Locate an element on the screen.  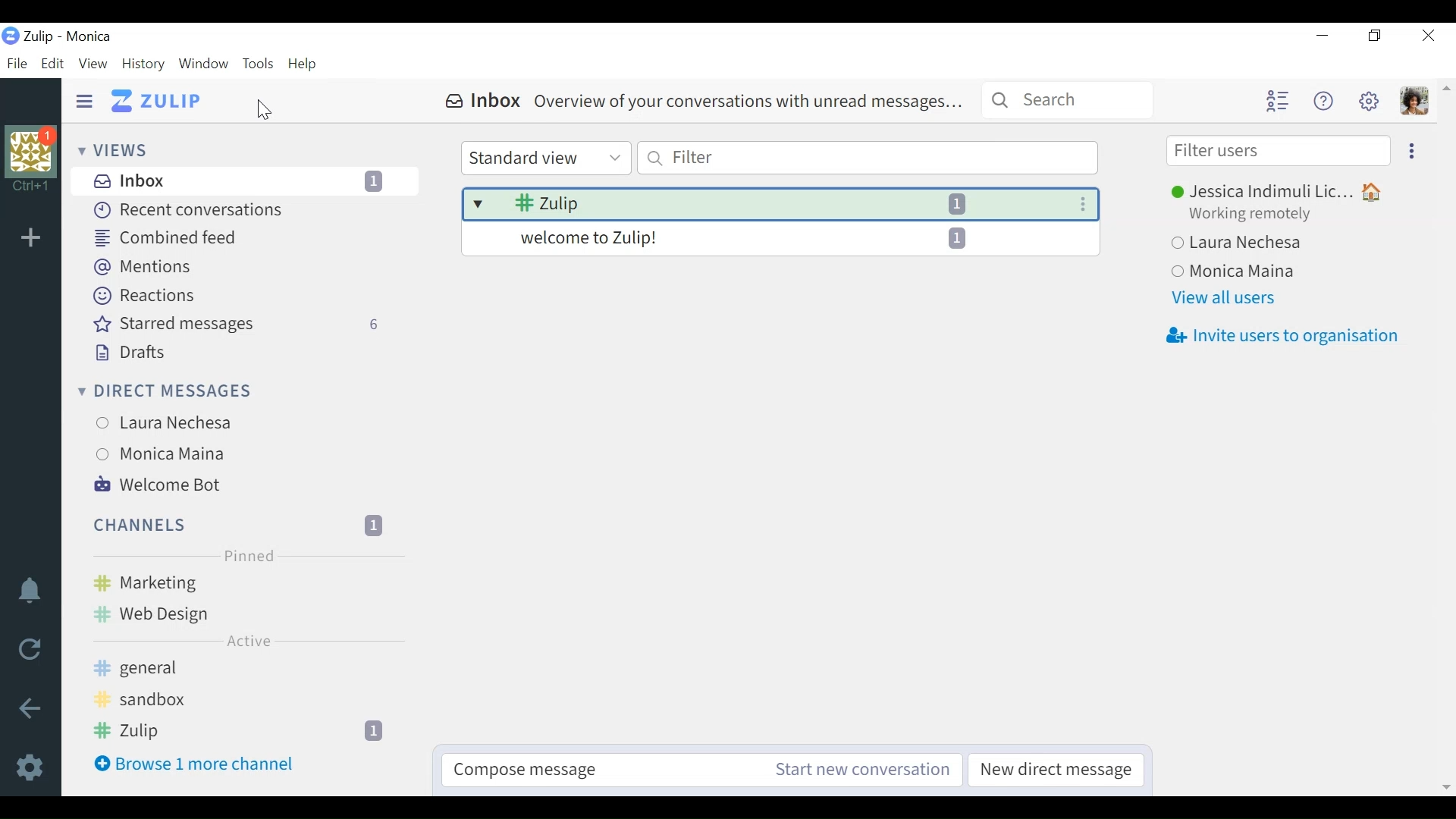
Views dropdown is located at coordinates (116, 151).